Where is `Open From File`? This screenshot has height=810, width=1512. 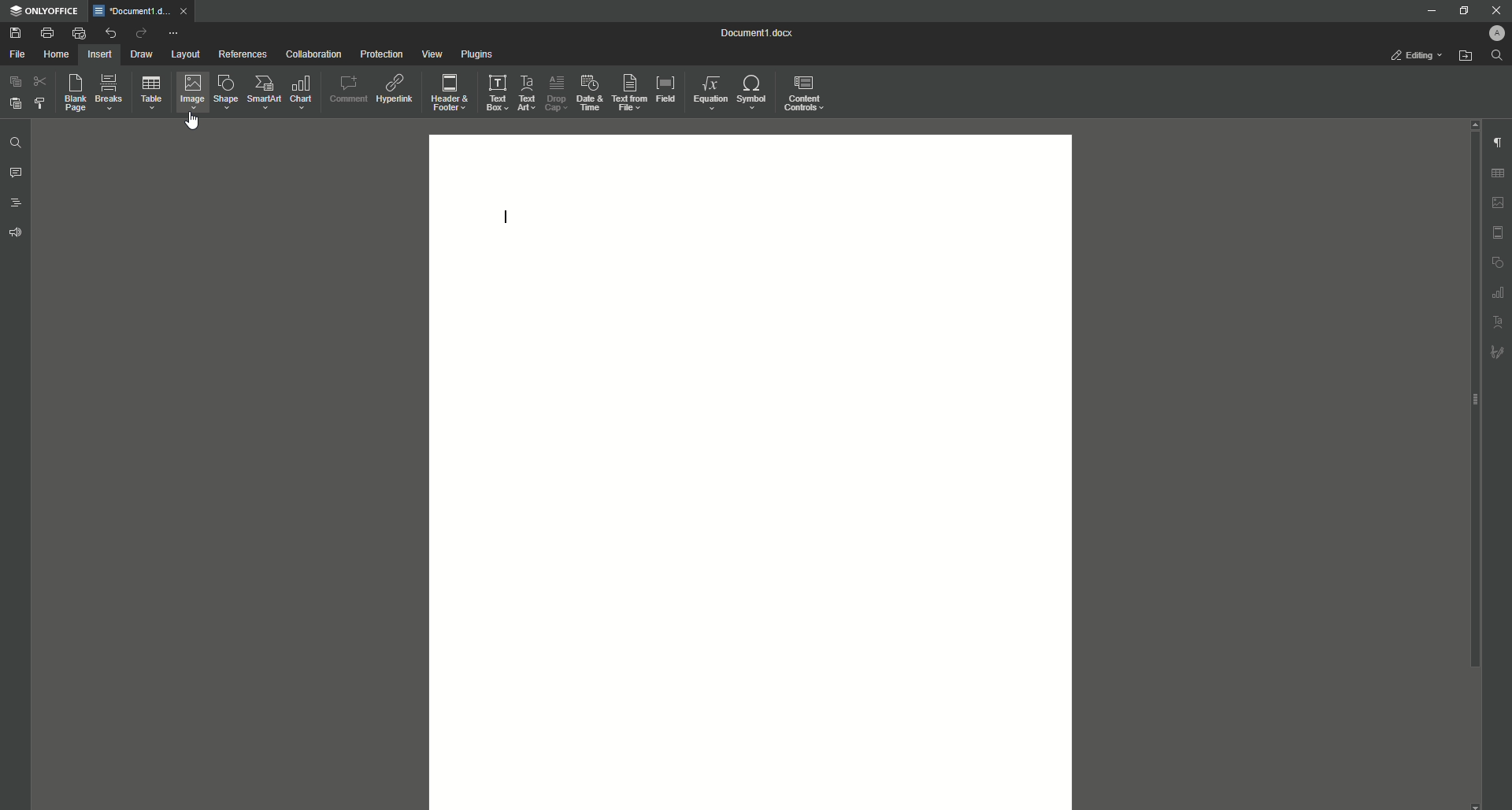 Open From File is located at coordinates (1465, 54).